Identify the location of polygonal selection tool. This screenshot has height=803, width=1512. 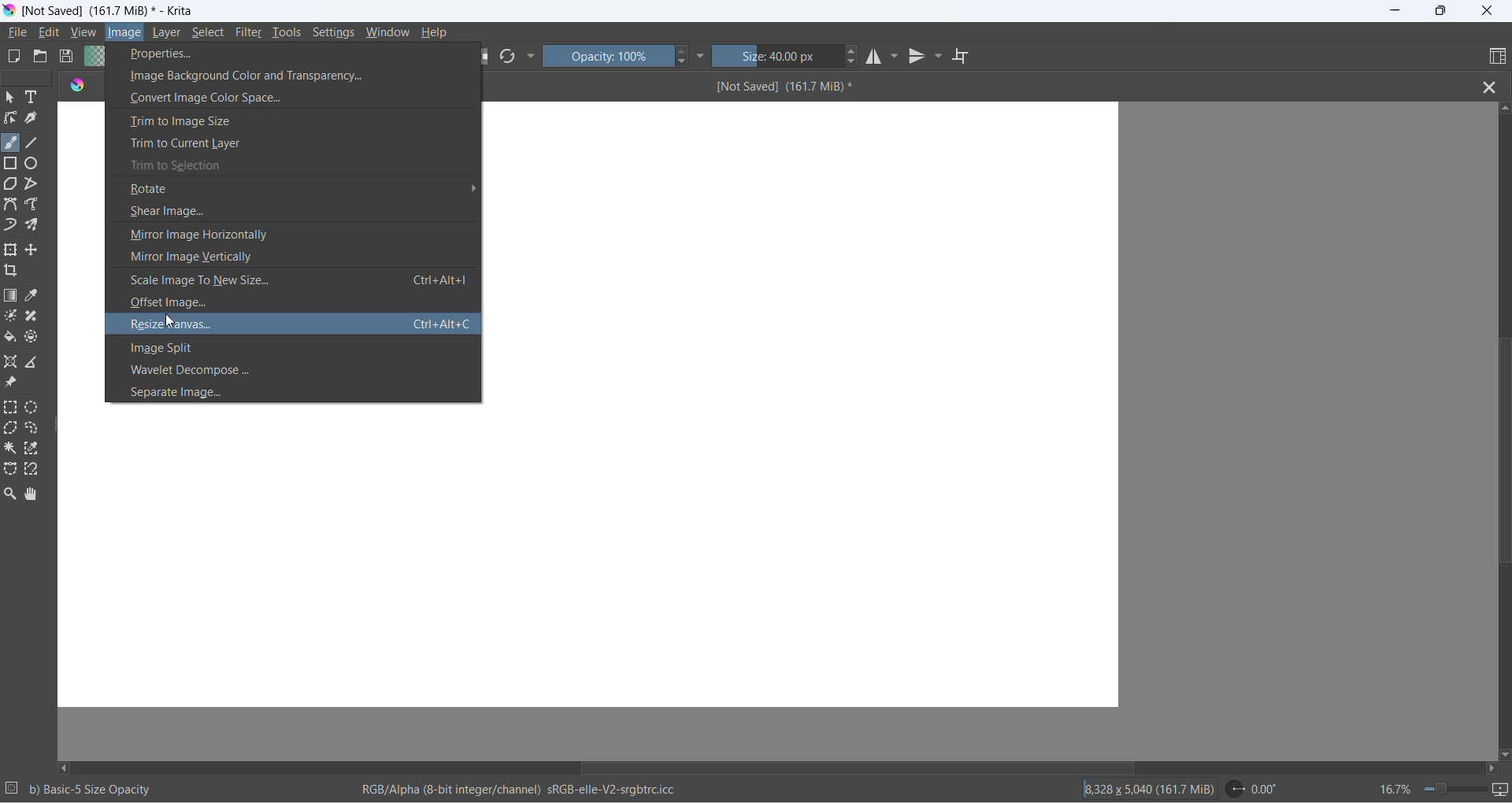
(12, 430).